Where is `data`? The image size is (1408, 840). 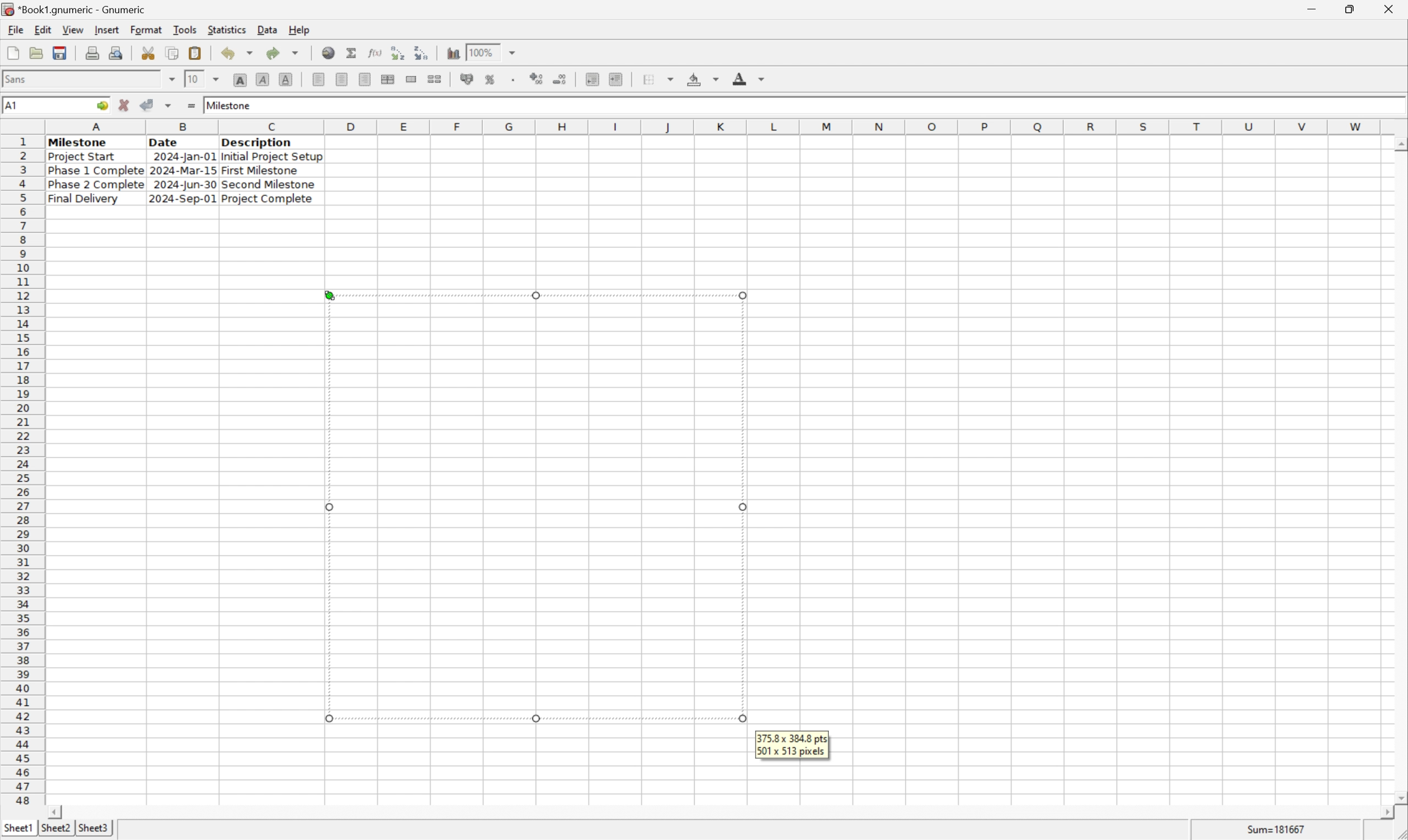
data is located at coordinates (267, 27).